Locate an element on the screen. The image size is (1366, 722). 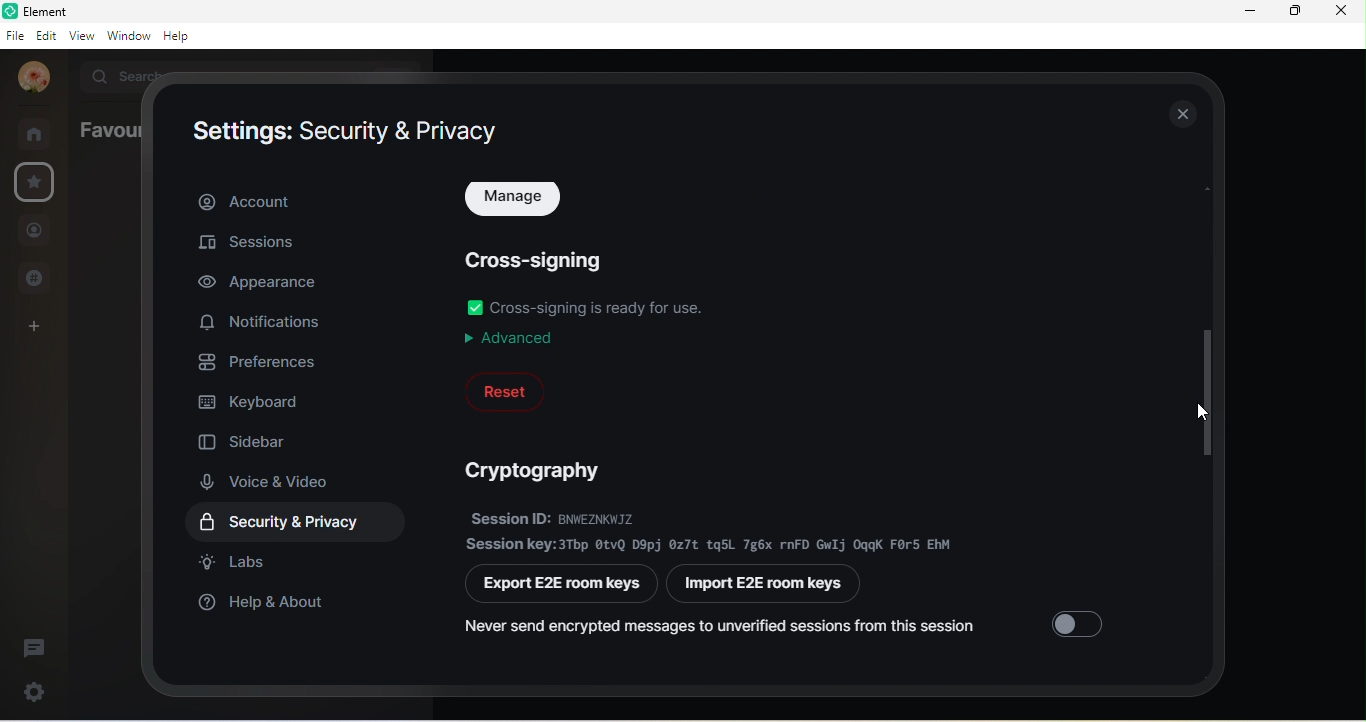
help & about is located at coordinates (266, 608).